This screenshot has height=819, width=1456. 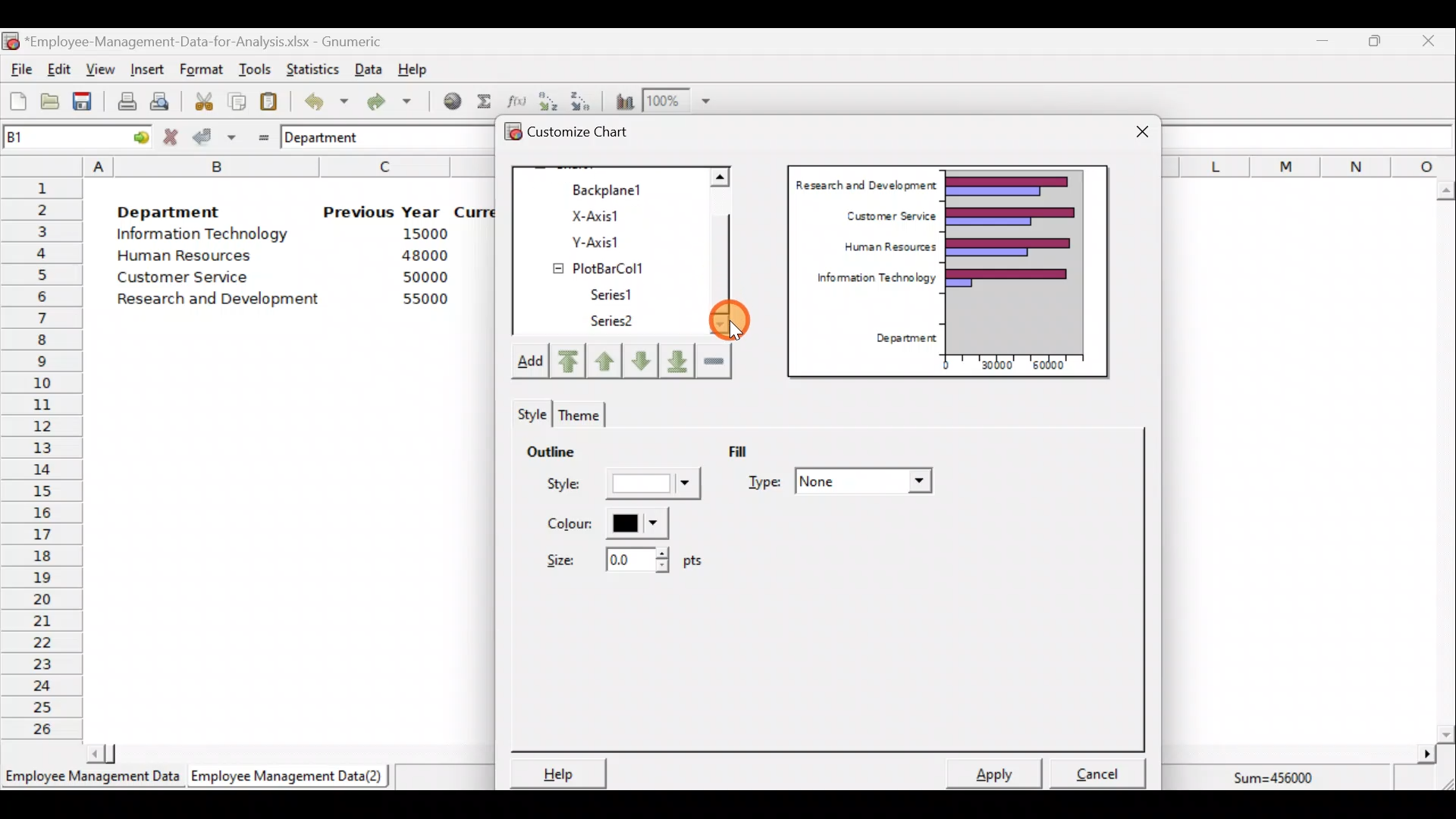 I want to click on Redo undone action, so click(x=386, y=102).